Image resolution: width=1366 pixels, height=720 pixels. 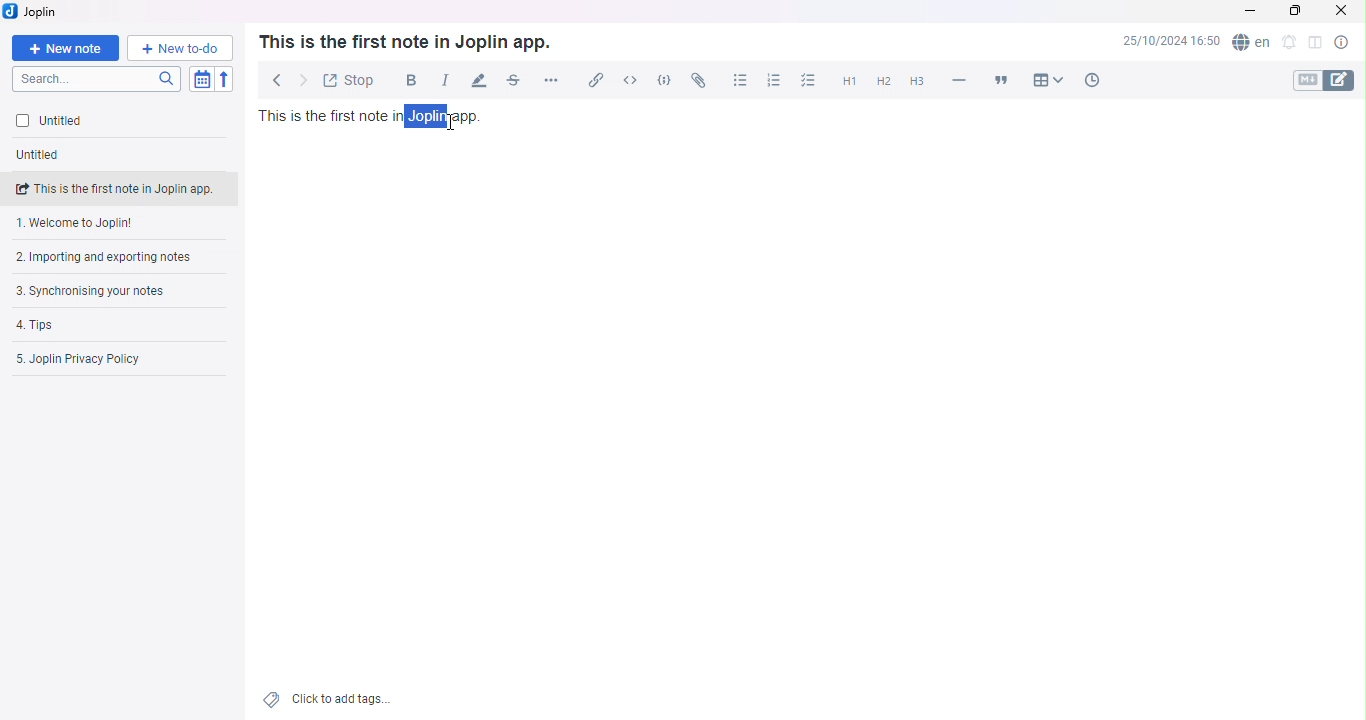 I want to click on Bullet list, so click(x=739, y=79).